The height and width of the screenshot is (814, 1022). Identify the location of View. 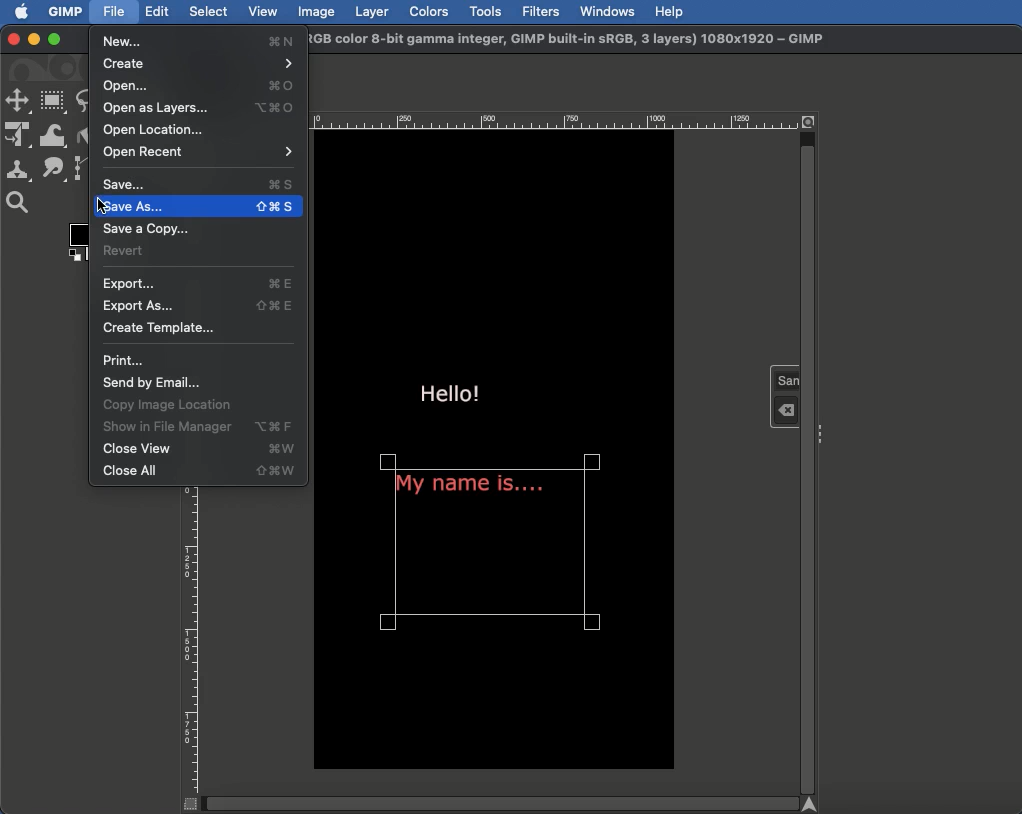
(265, 12).